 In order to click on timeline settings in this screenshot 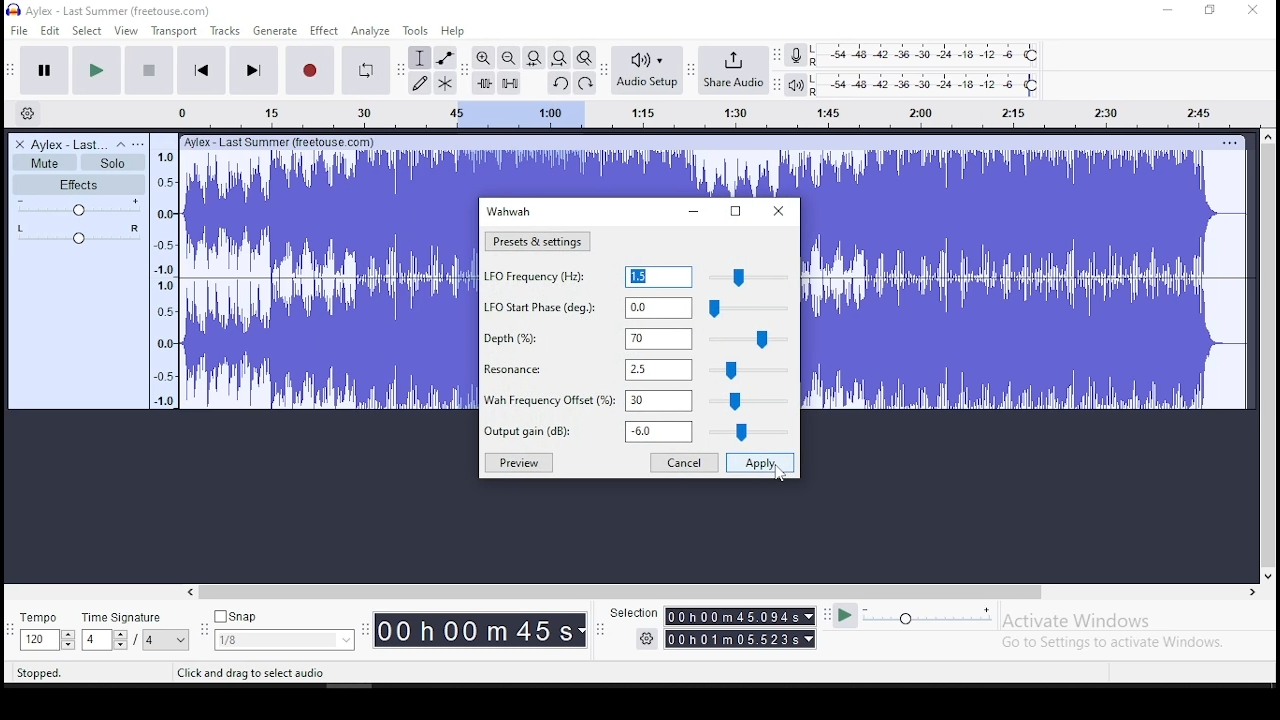, I will do `click(28, 112)`.